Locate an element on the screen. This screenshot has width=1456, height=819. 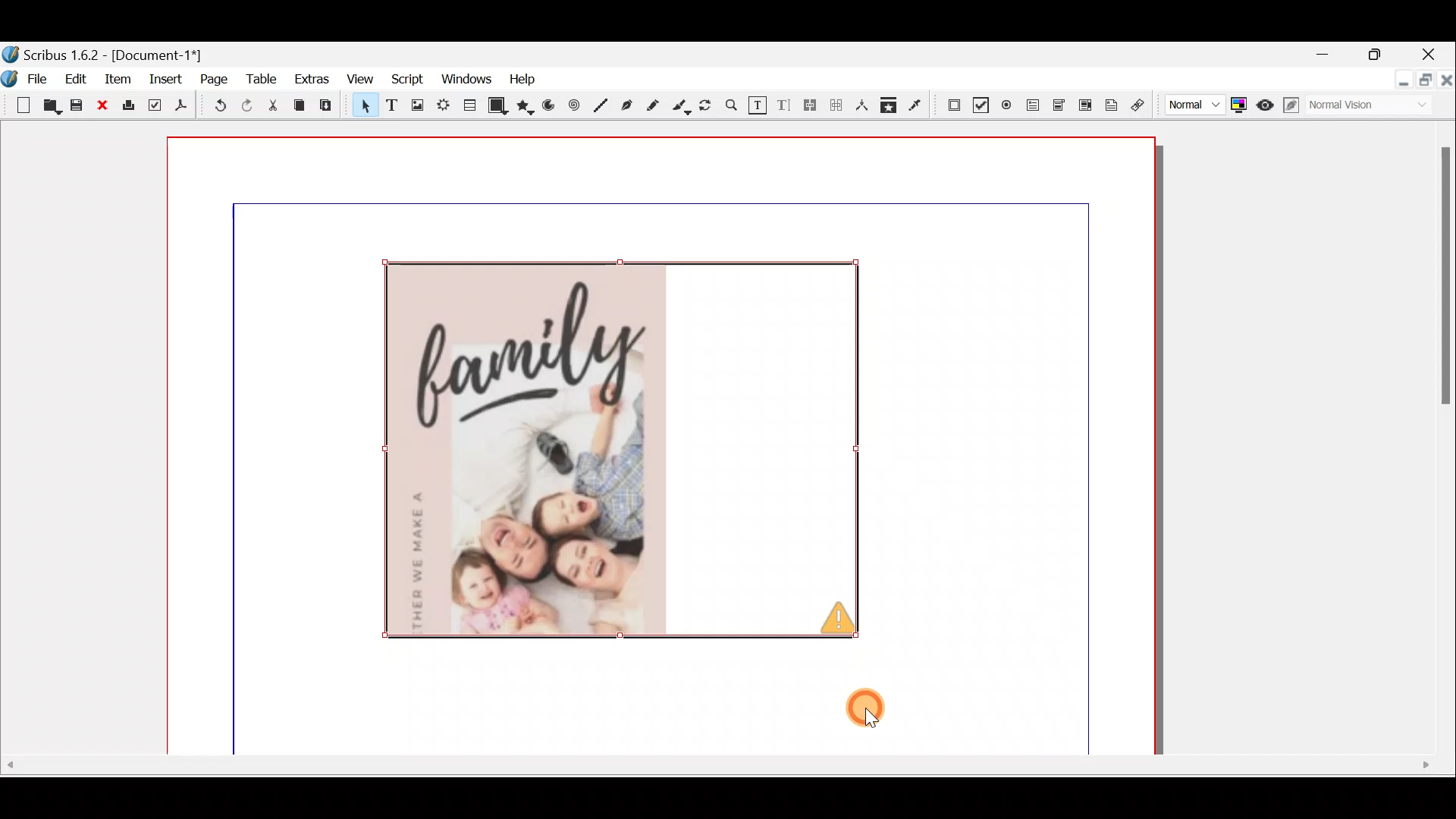
Undo is located at coordinates (214, 108).